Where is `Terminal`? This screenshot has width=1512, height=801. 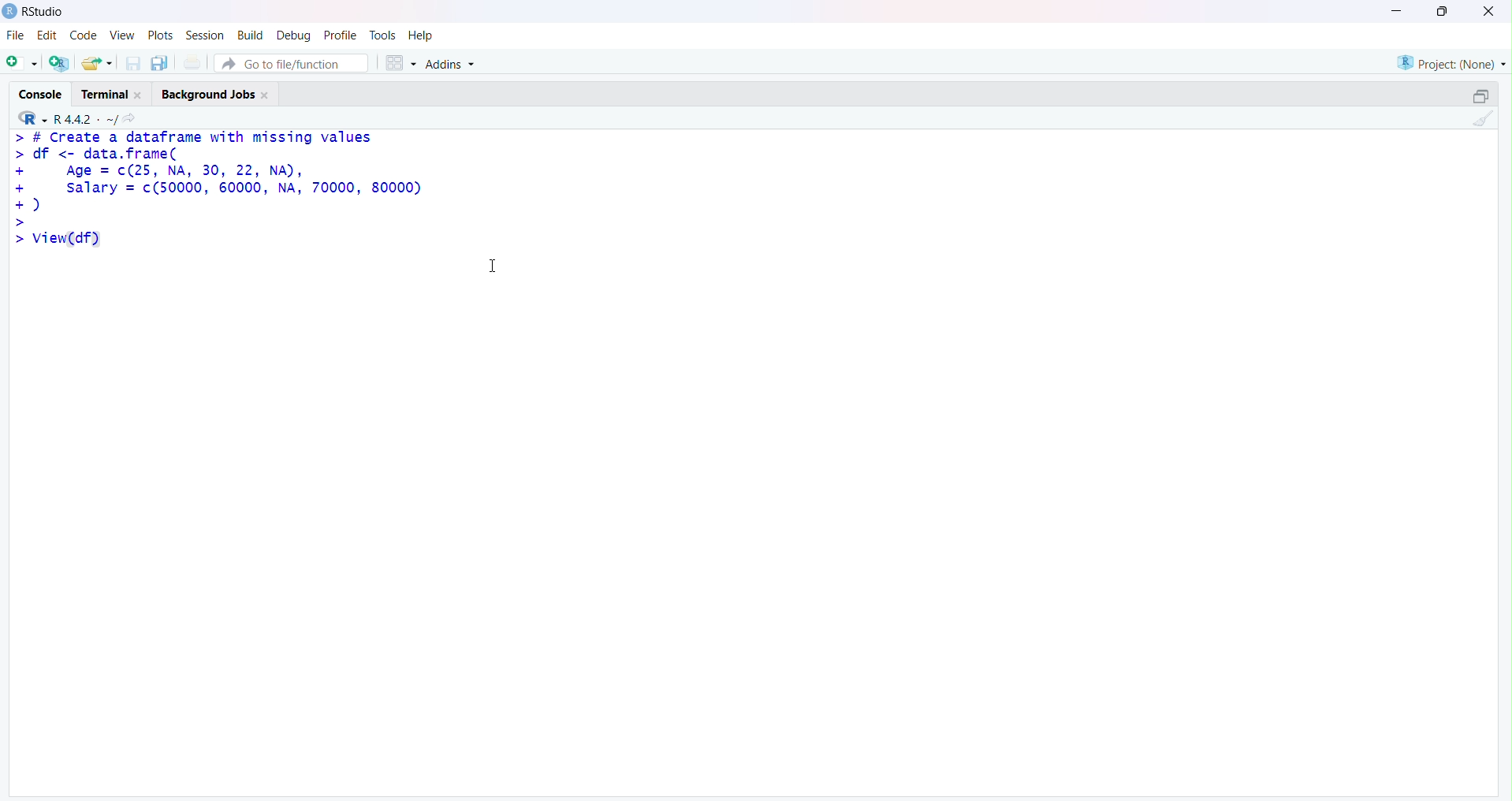
Terminal is located at coordinates (110, 91).